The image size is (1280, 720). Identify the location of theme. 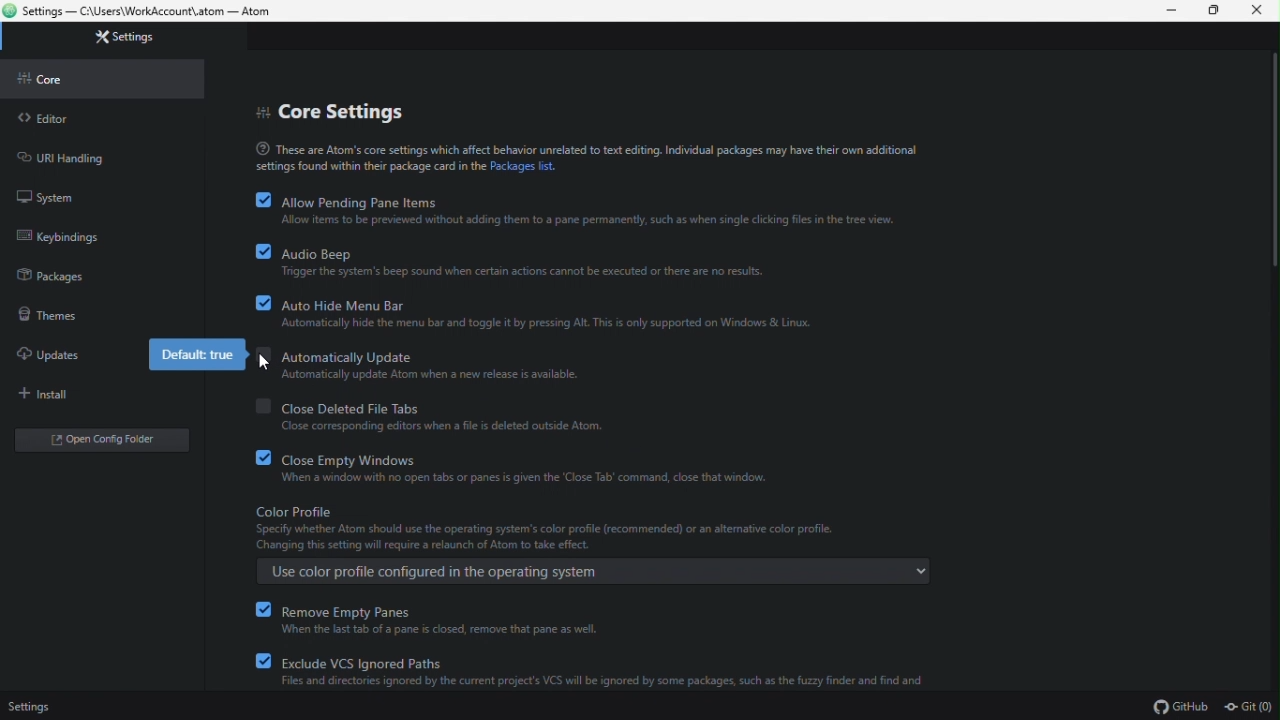
(47, 314).